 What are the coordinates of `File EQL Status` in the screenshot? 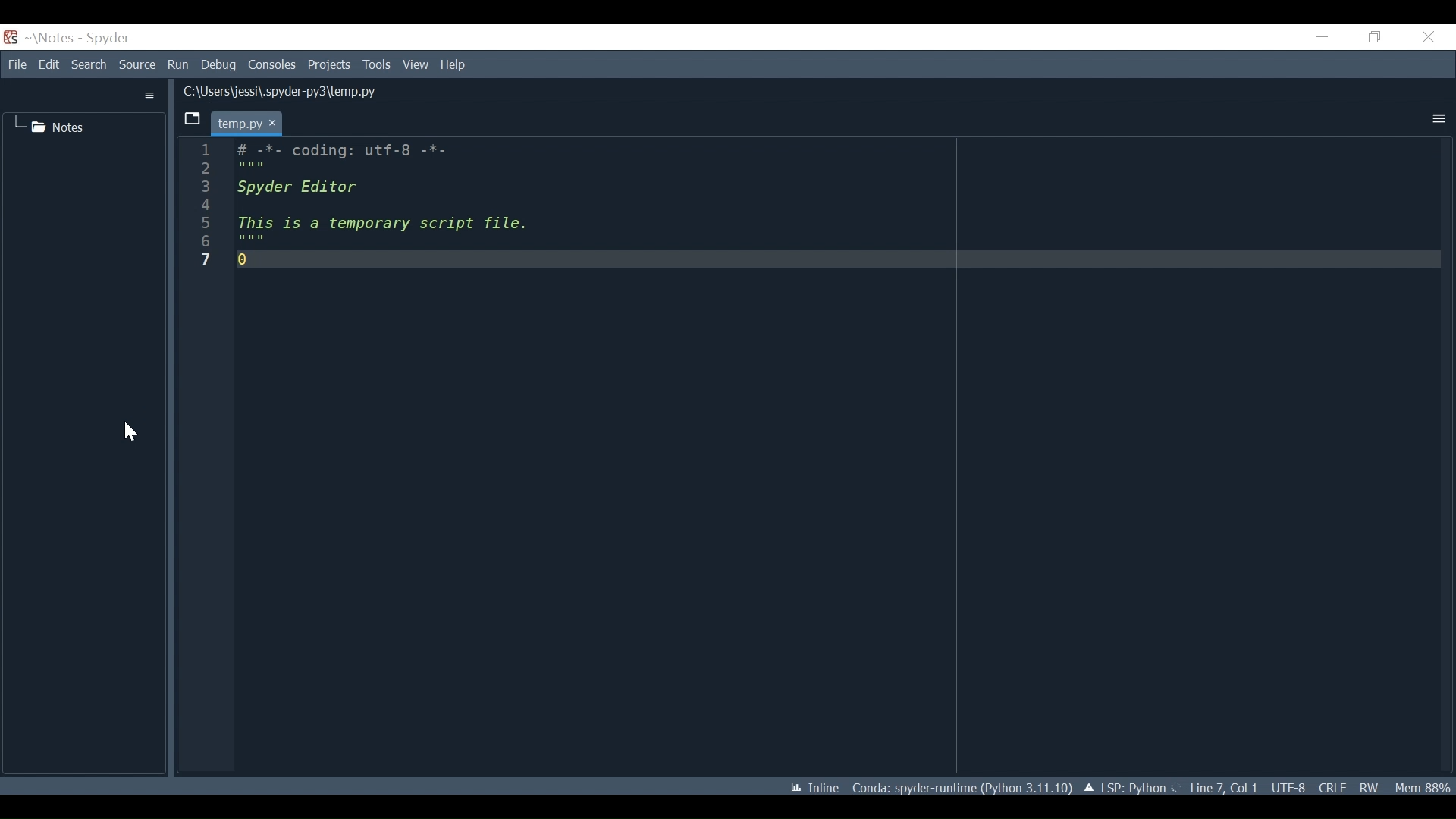 It's located at (1332, 786).